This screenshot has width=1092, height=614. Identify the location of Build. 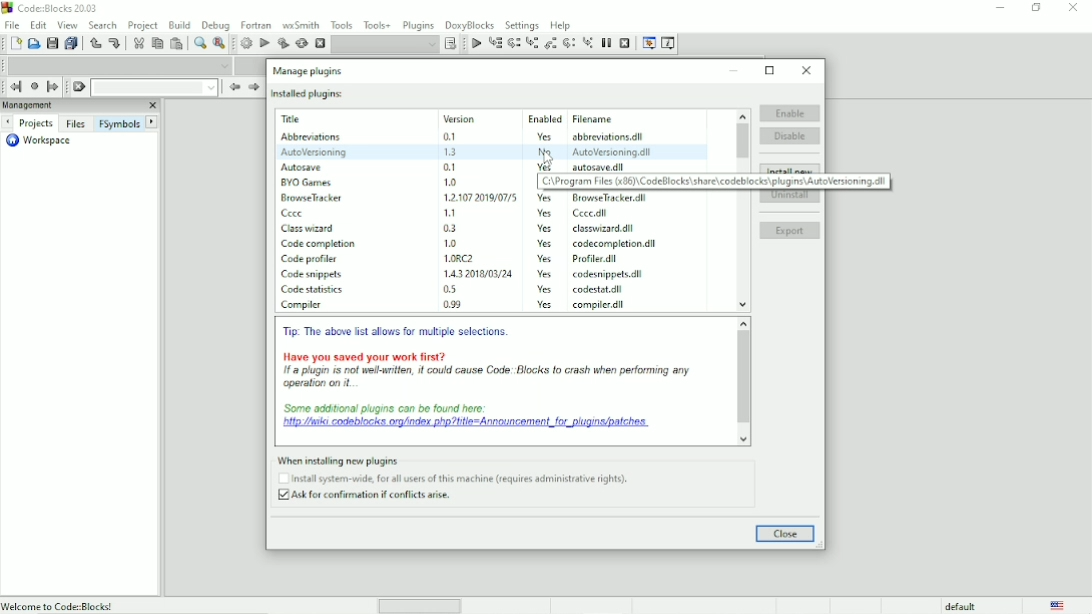
(246, 43).